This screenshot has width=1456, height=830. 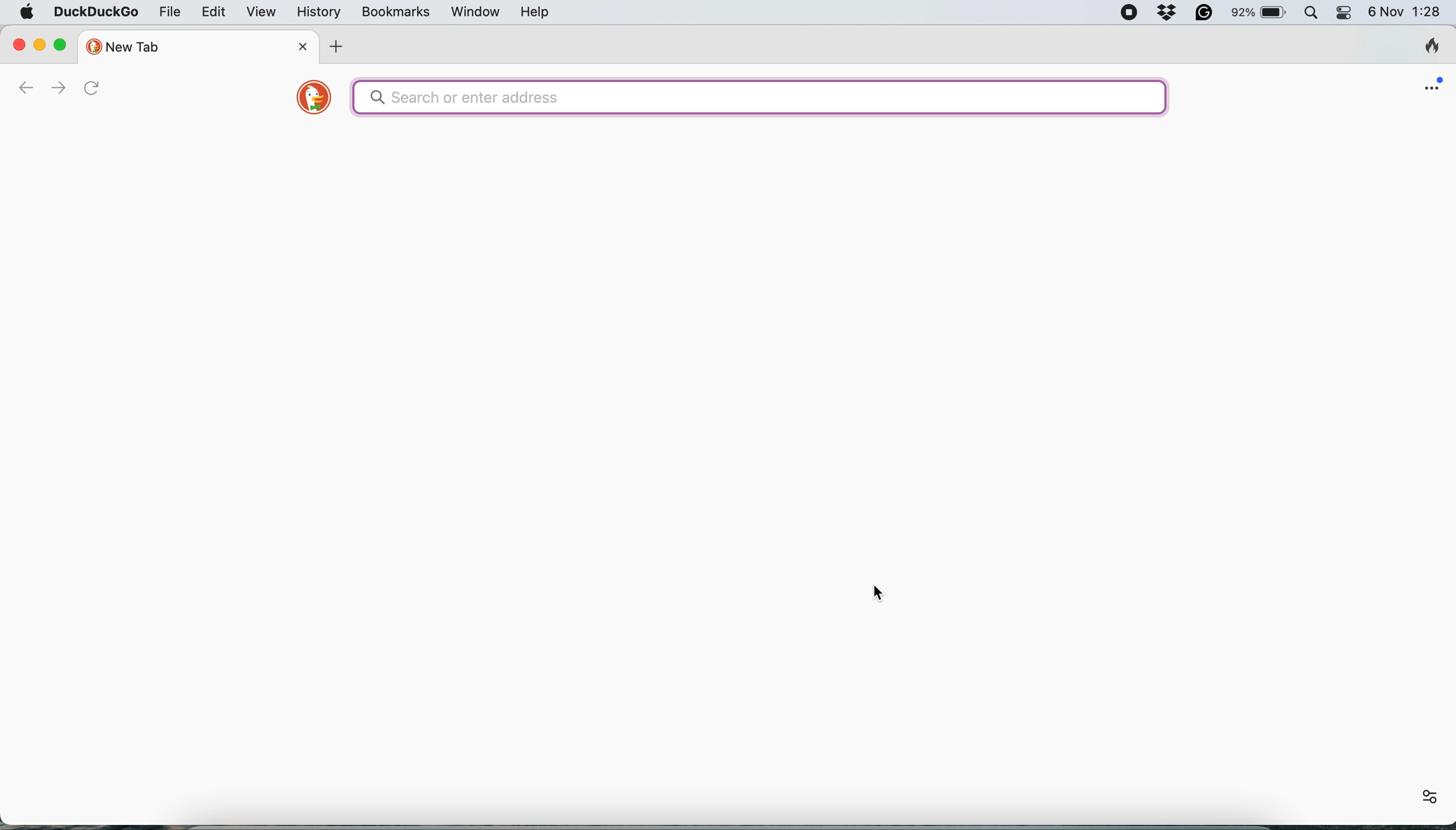 What do you see at coordinates (399, 13) in the screenshot?
I see `bookmarks` at bounding box center [399, 13].